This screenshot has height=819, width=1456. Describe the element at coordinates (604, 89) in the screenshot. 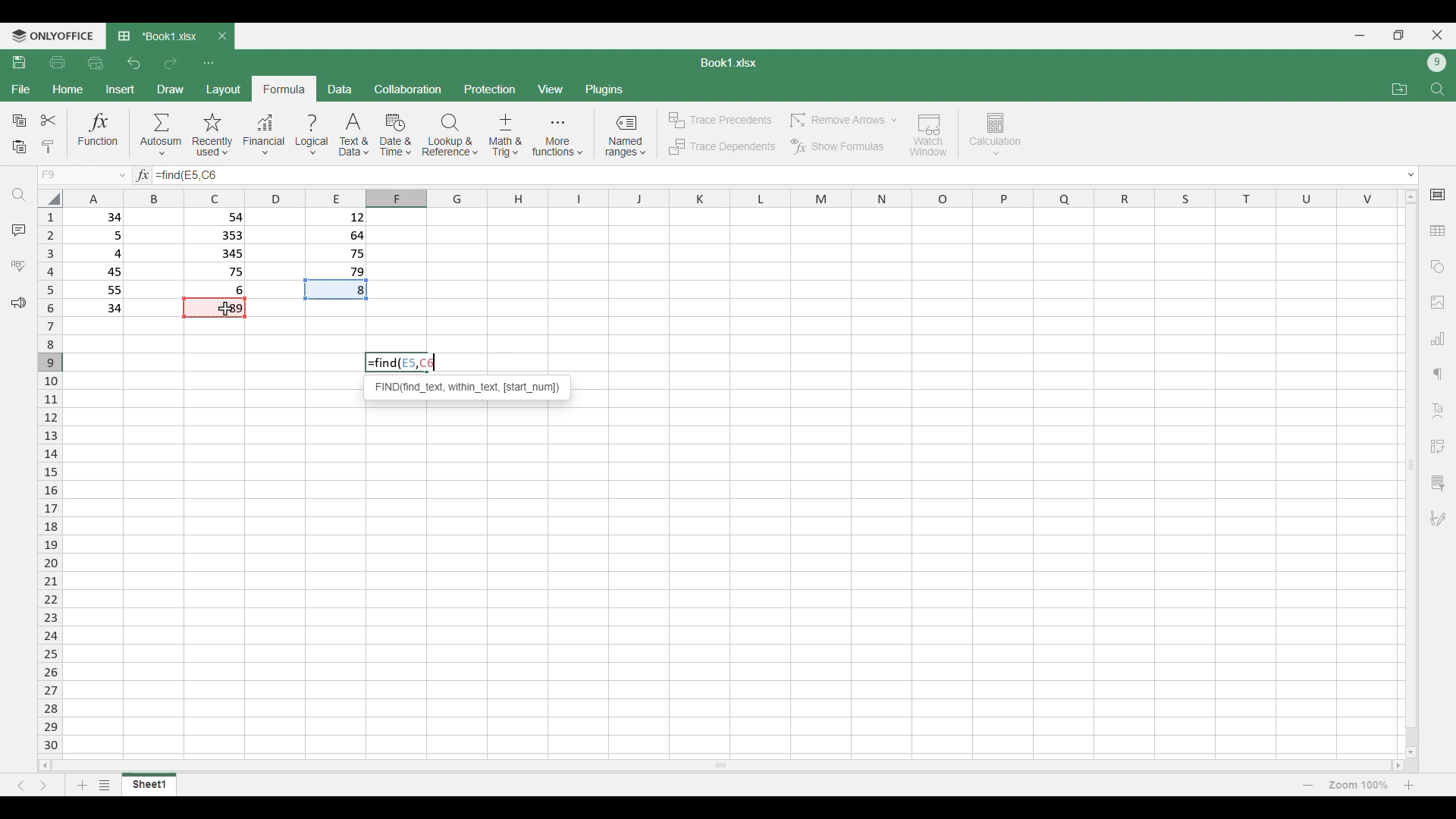

I see `Plugins menu` at that location.